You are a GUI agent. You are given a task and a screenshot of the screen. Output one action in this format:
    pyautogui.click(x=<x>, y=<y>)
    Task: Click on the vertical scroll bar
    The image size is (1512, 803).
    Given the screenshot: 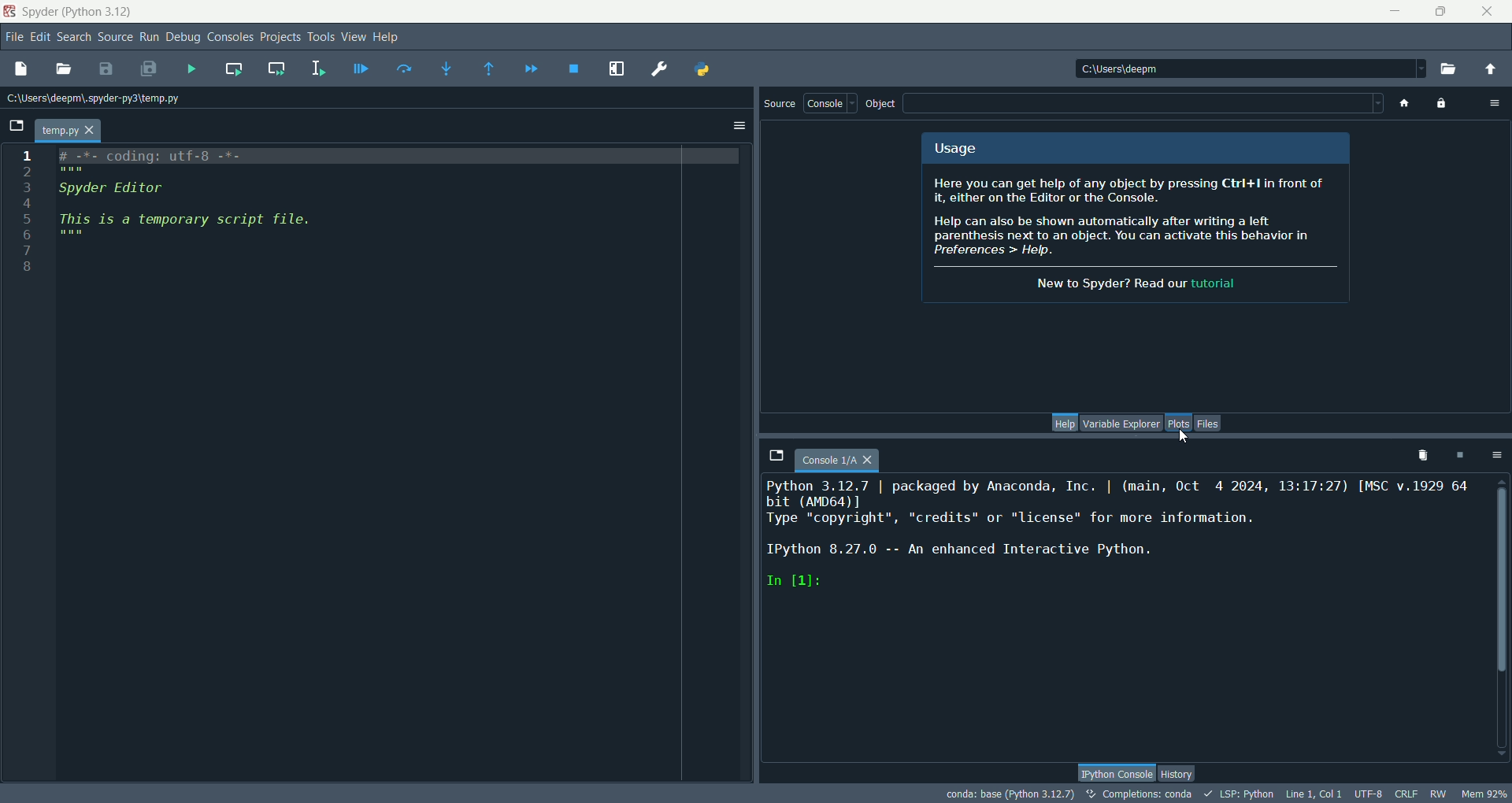 What is the action you would take?
    pyautogui.click(x=1501, y=619)
    